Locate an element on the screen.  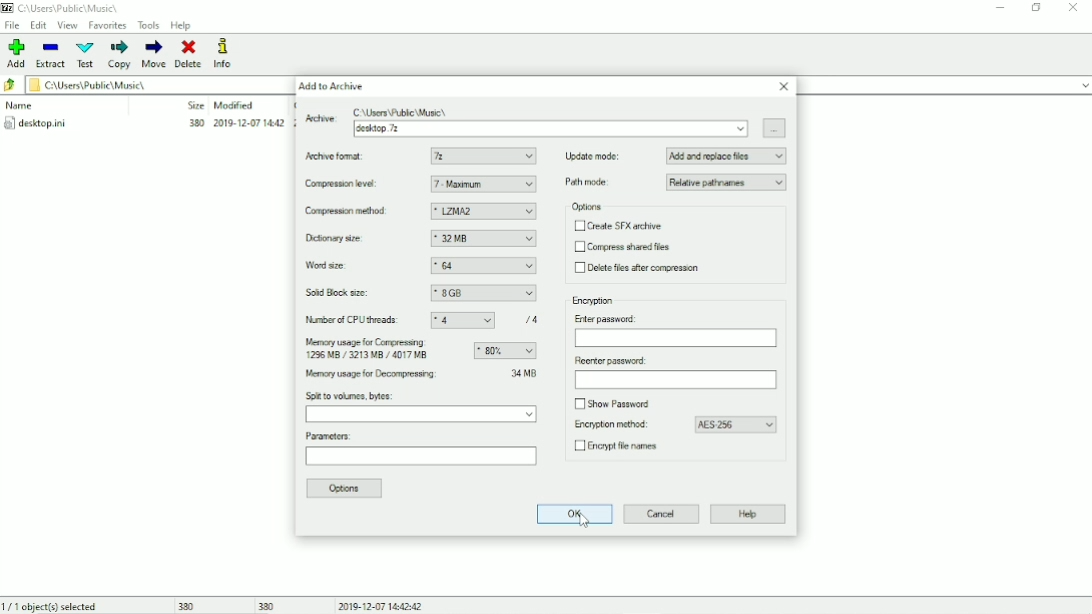
380 is located at coordinates (268, 605).